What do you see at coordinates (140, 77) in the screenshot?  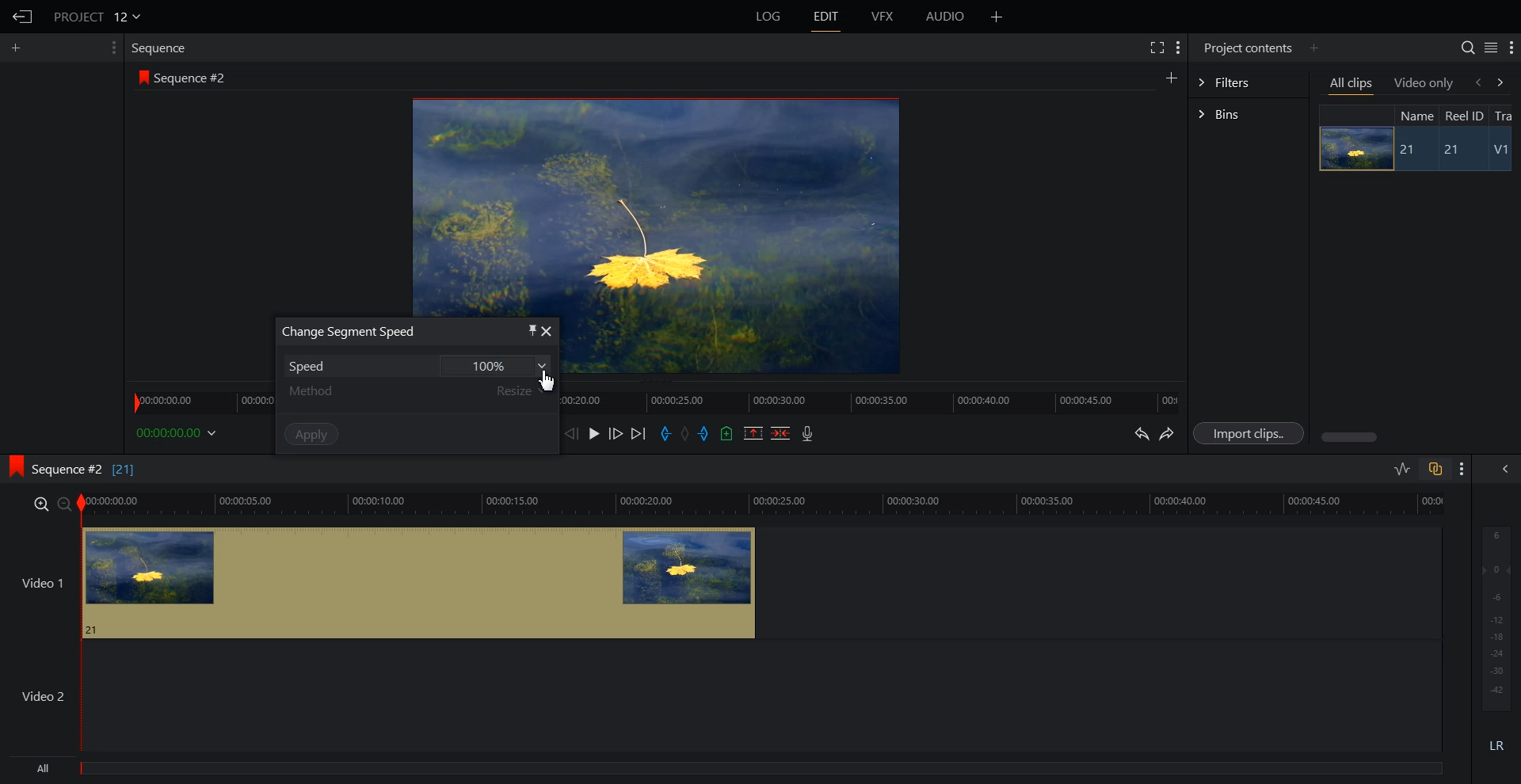 I see `logo` at bounding box center [140, 77].